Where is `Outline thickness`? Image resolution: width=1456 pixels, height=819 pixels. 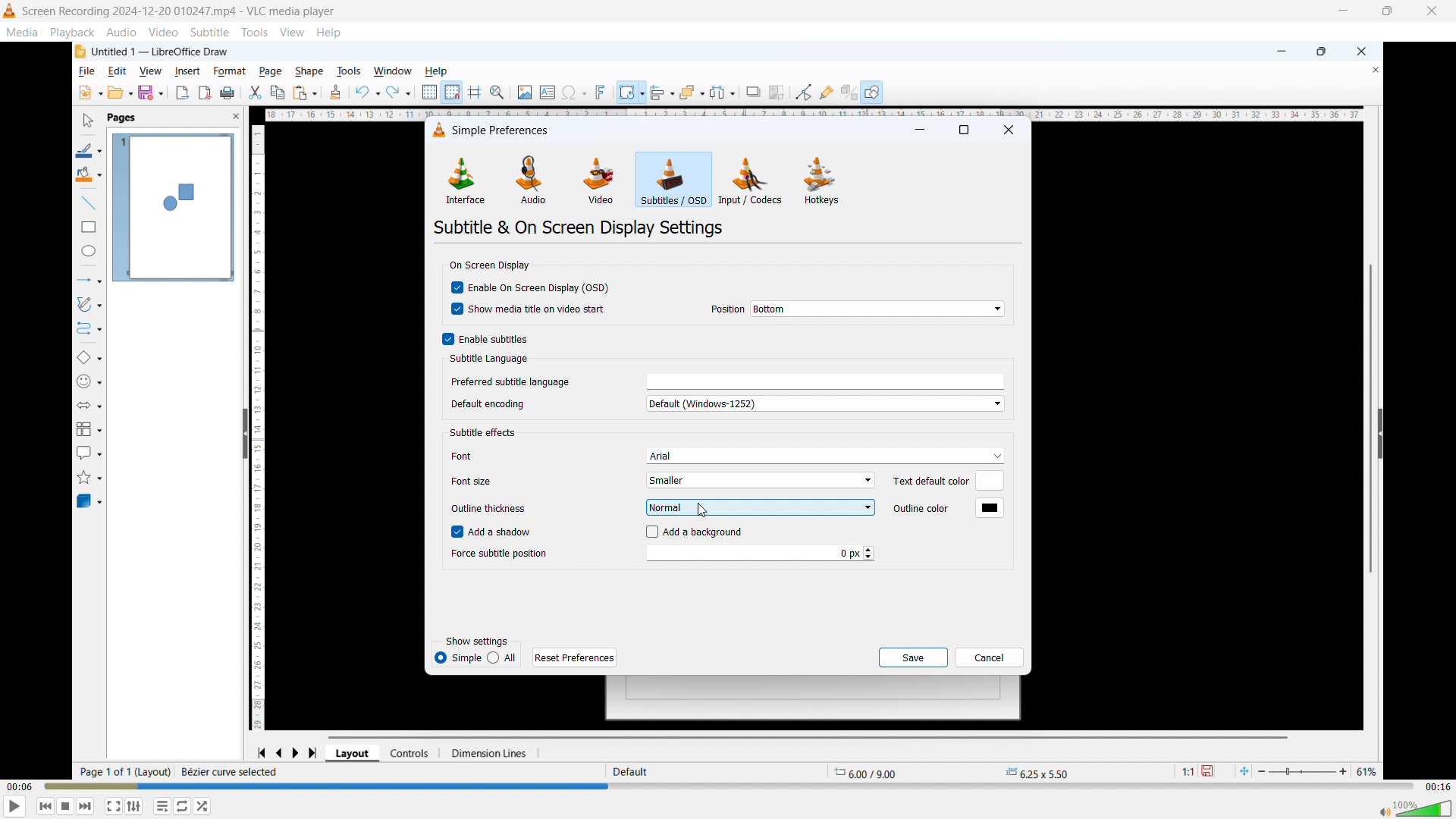
Outline thickness is located at coordinates (488, 508).